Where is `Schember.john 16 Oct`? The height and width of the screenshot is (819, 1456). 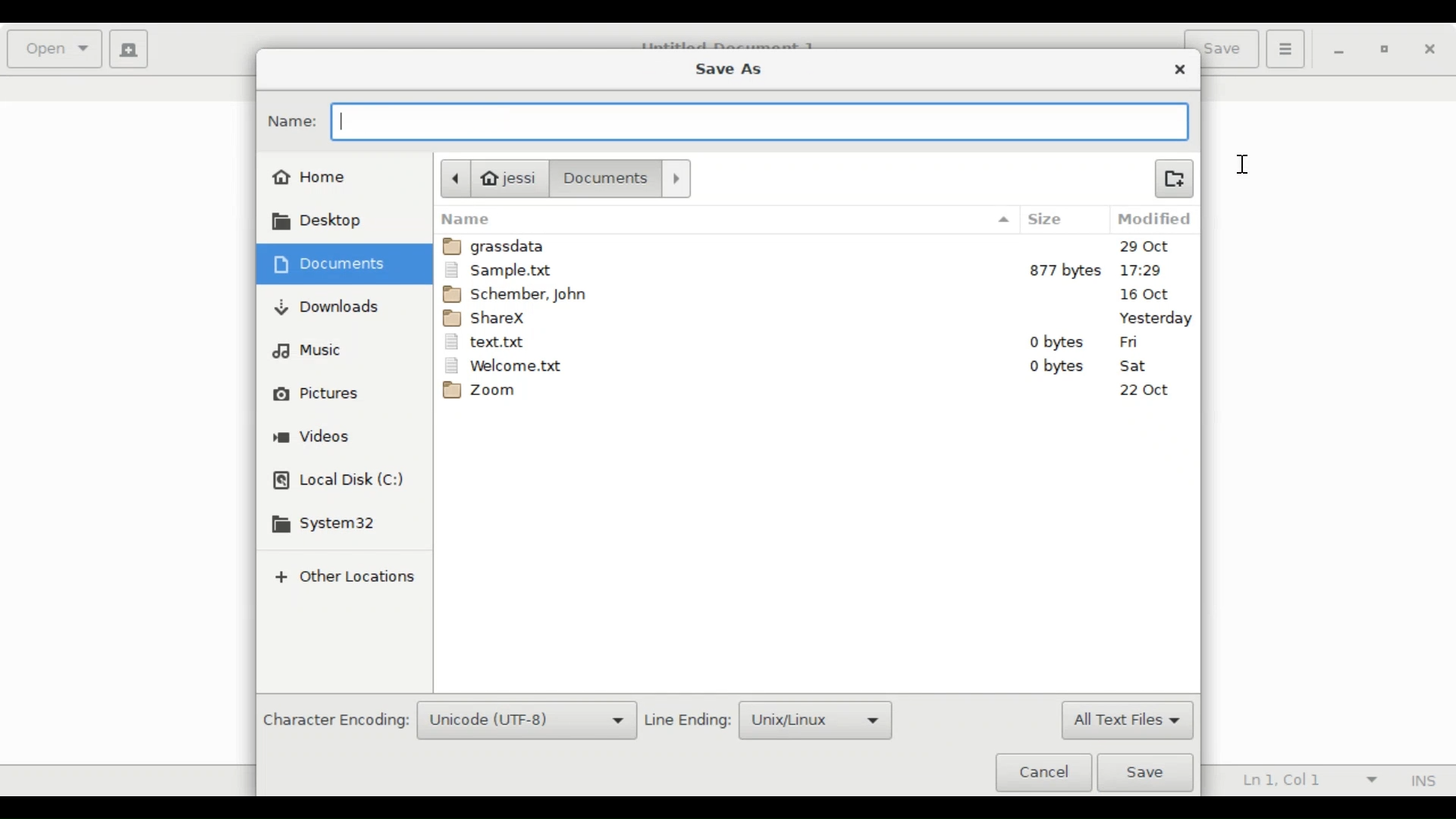 Schember.john 16 Oct is located at coordinates (818, 293).